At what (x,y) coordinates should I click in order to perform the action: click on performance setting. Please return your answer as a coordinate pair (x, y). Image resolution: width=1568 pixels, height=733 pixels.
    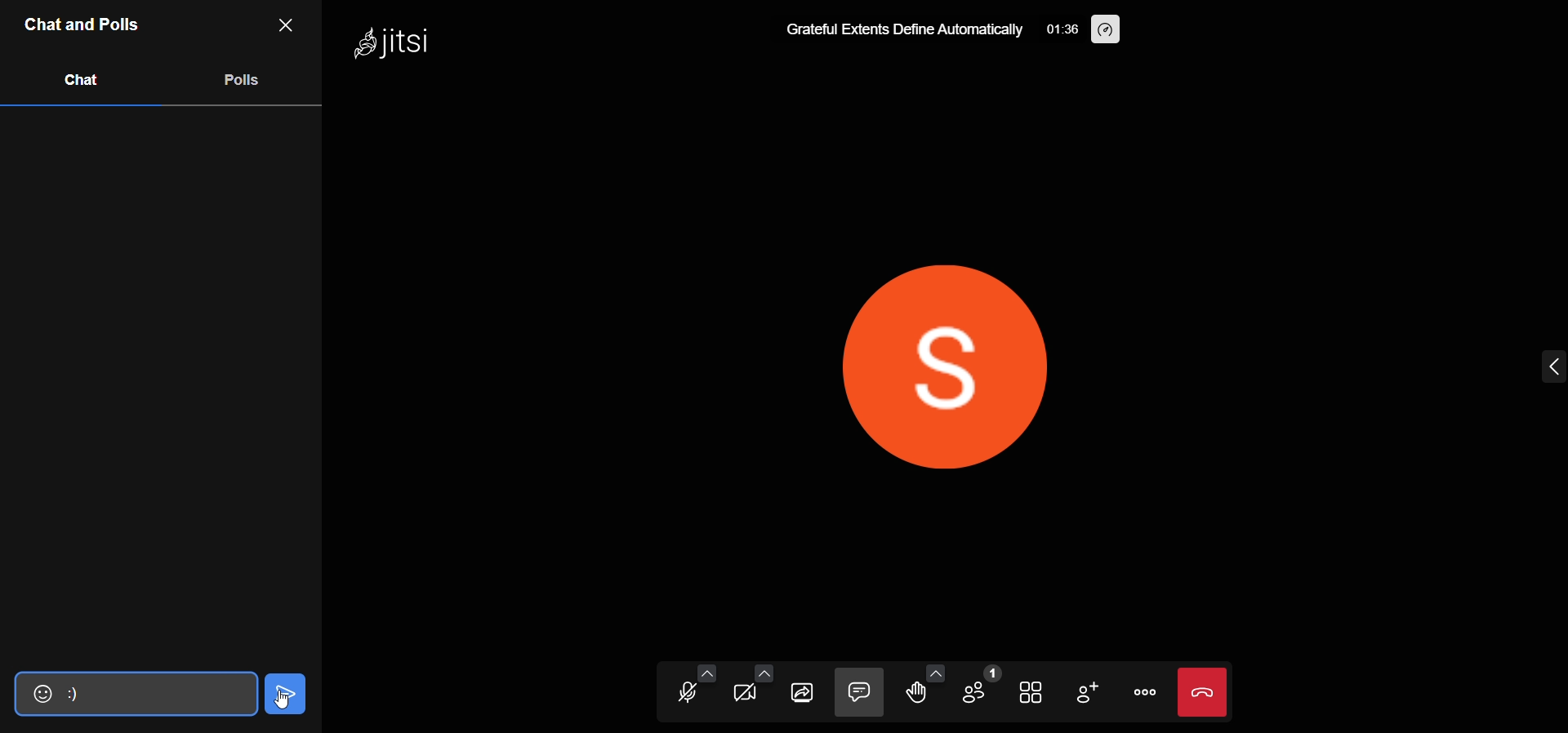
    Looking at the image, I should click on (1103, 29).